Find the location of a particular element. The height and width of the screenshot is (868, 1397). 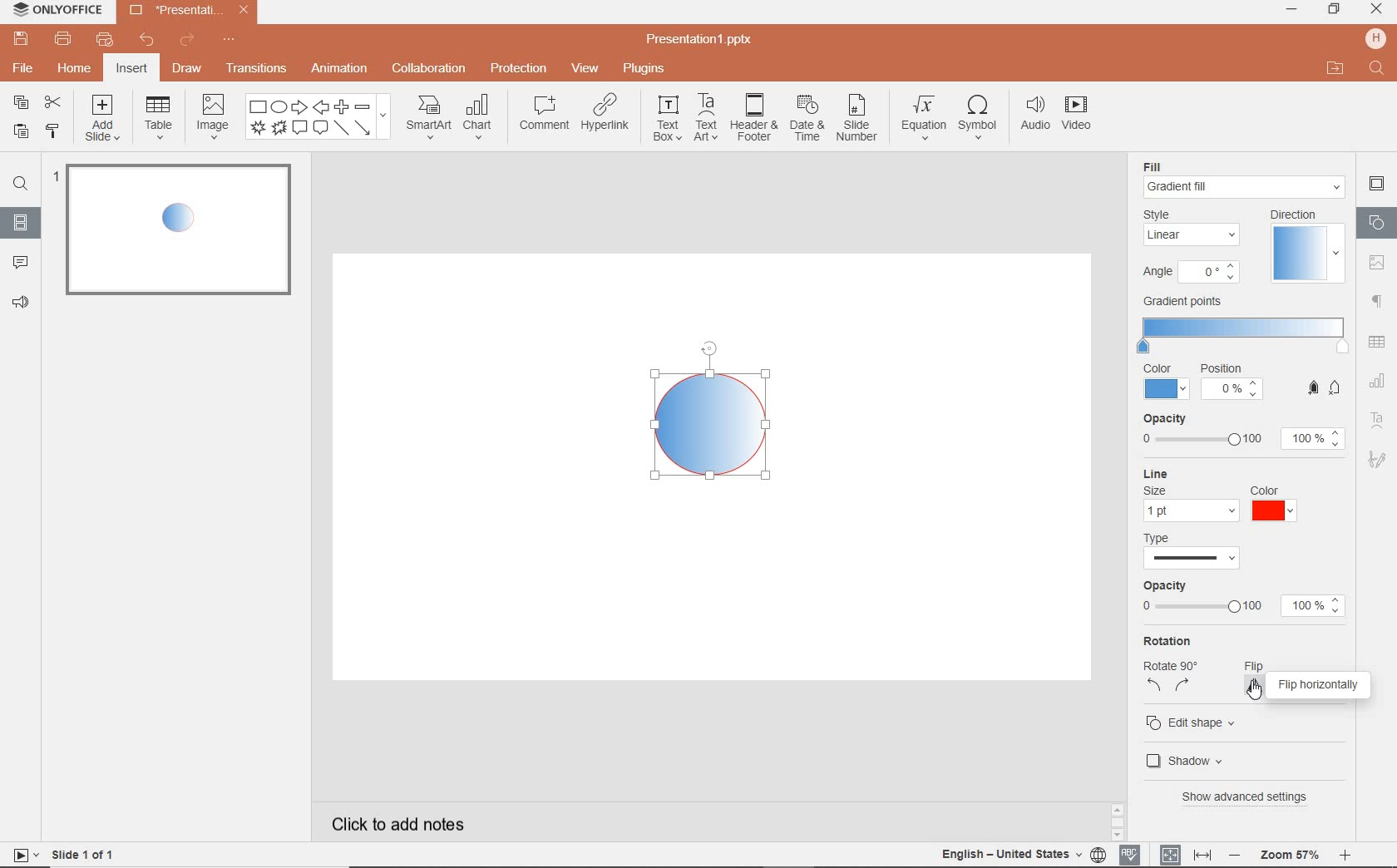

comment is located at coordinates (544, 112).